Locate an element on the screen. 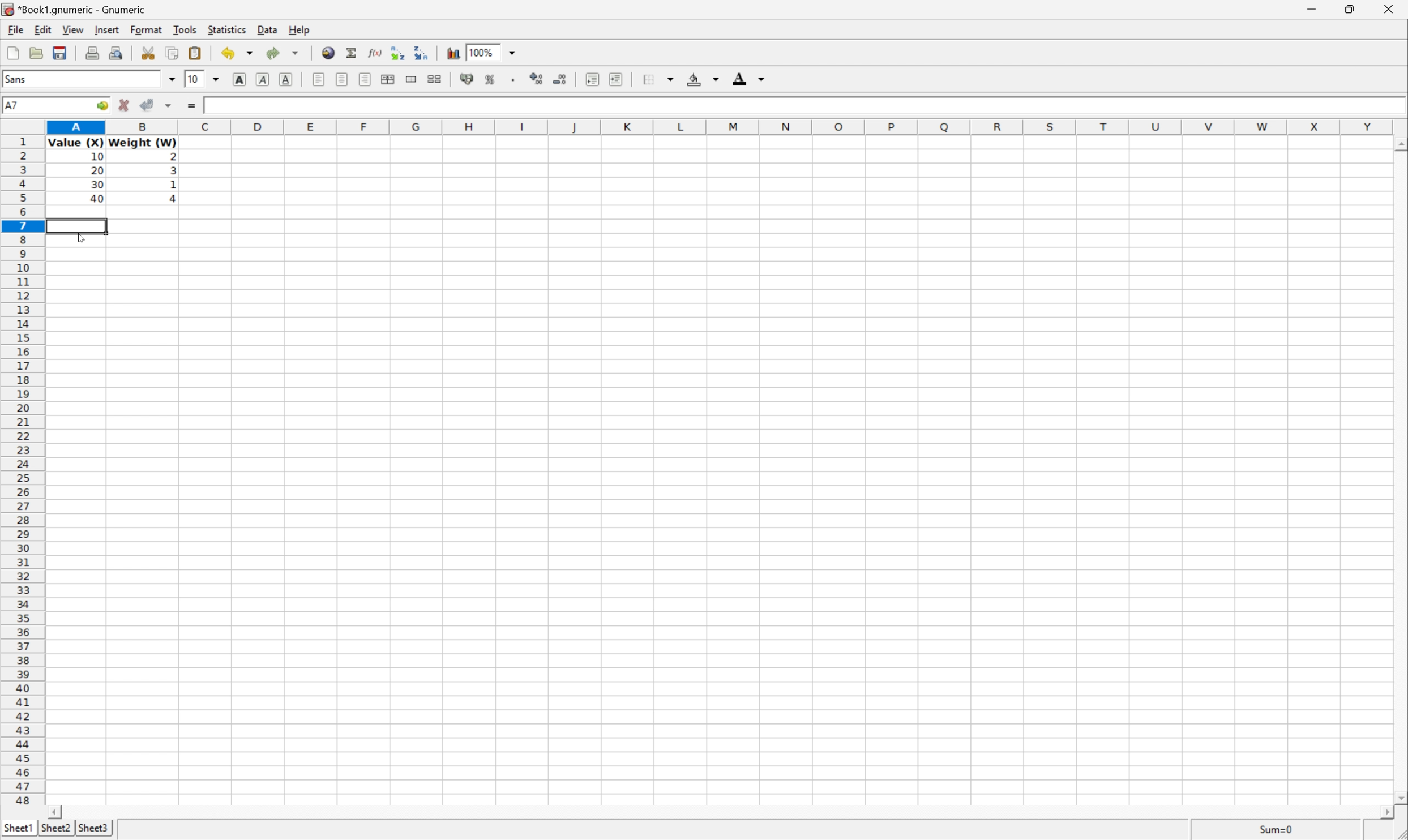 This screenshot has height=840, width=1408. Create a workbook is located at coordinates (11, 53).